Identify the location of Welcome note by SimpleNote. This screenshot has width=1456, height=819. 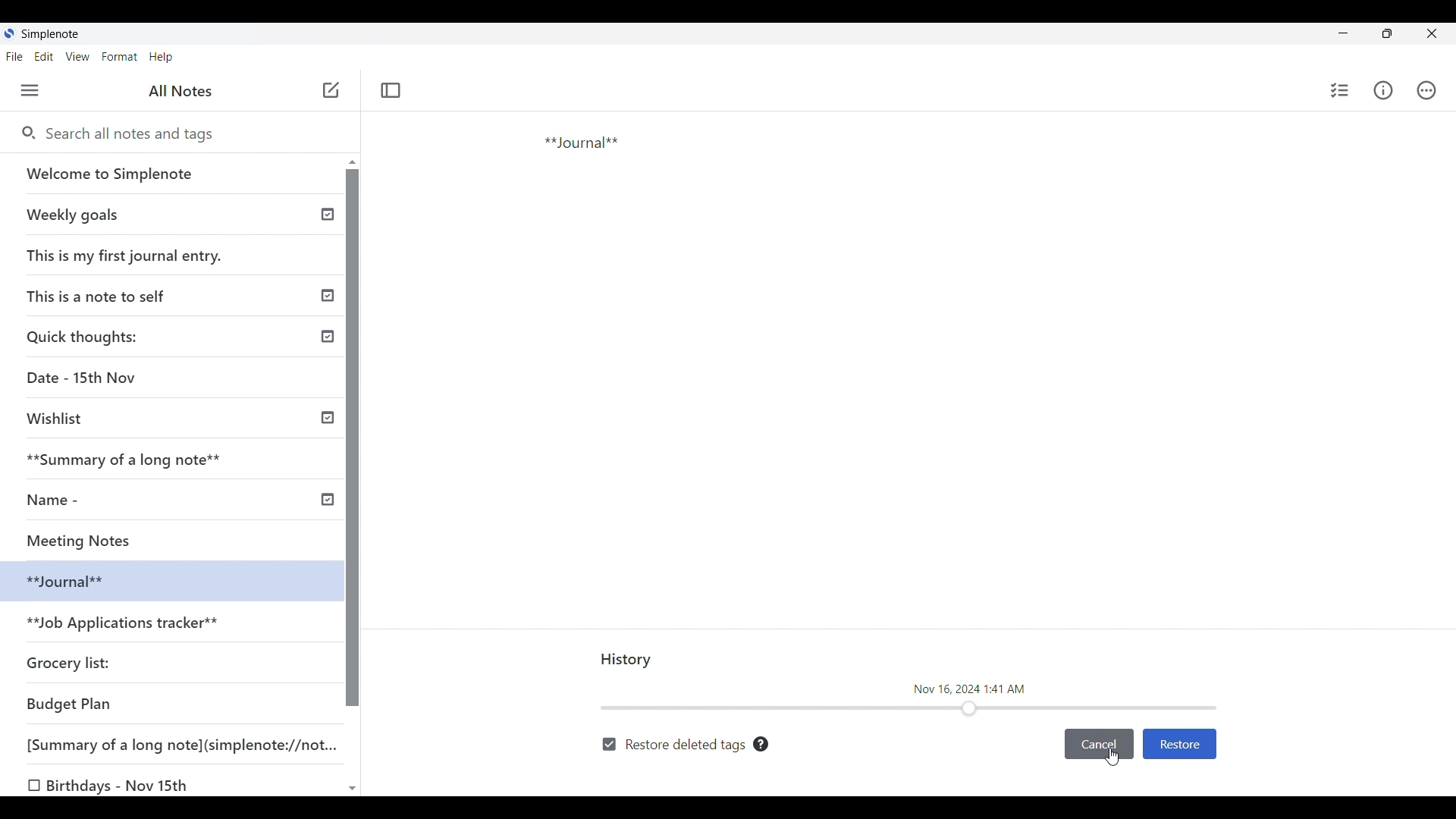
(173, 173).